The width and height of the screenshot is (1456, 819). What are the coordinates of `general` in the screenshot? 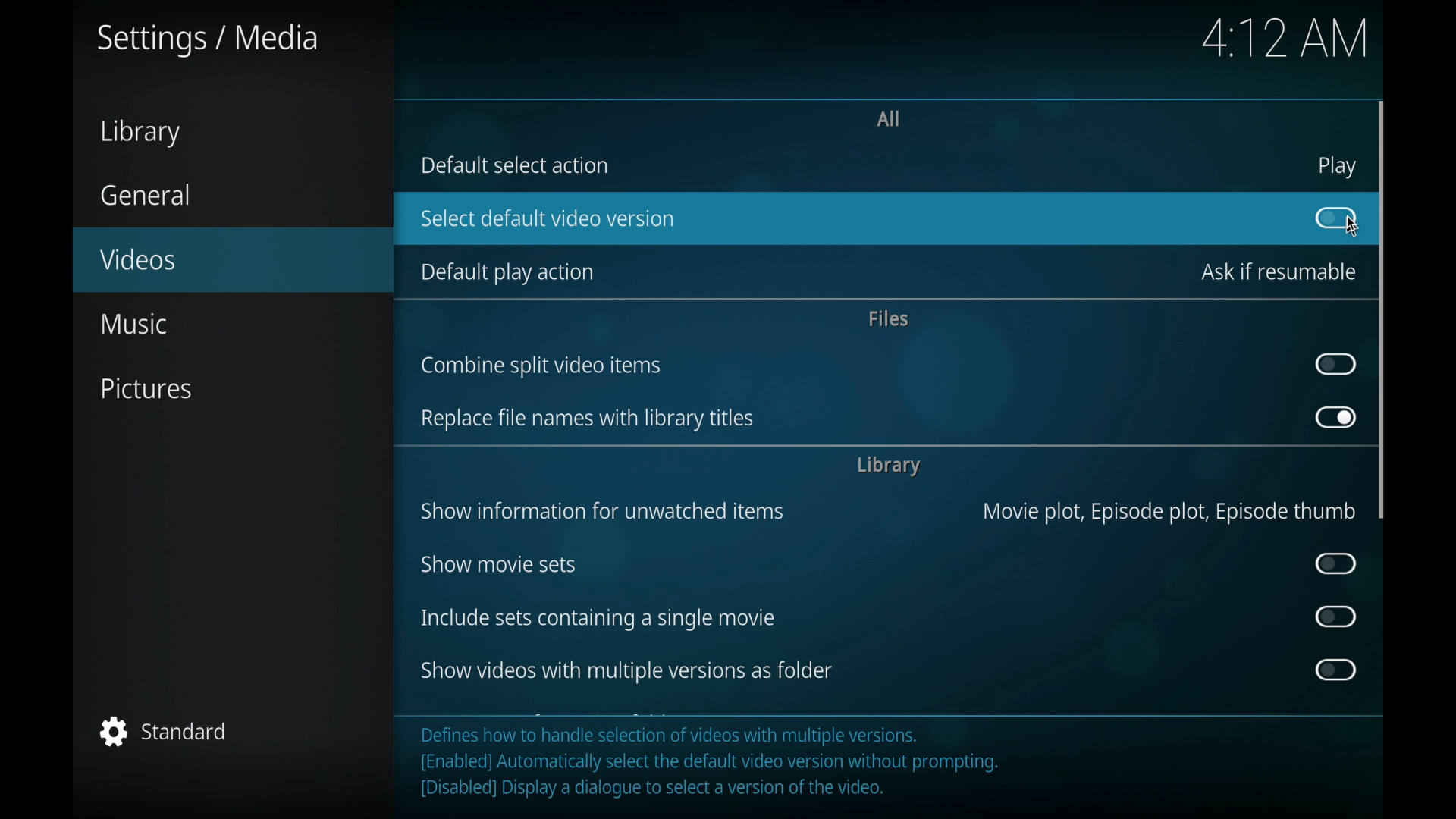 It's located at (149, 195).